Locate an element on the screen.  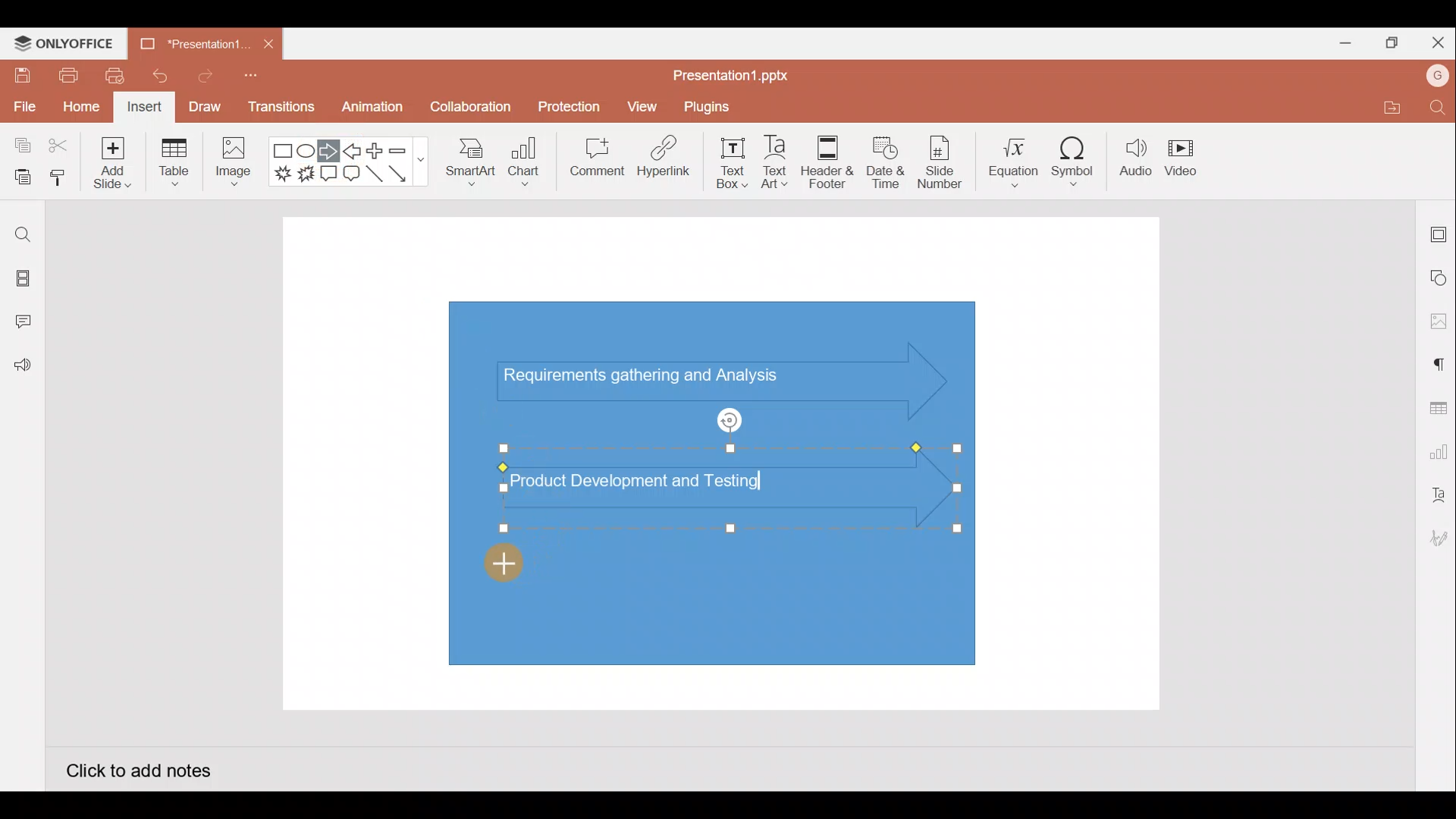
File is located at coordinates (23, 104).